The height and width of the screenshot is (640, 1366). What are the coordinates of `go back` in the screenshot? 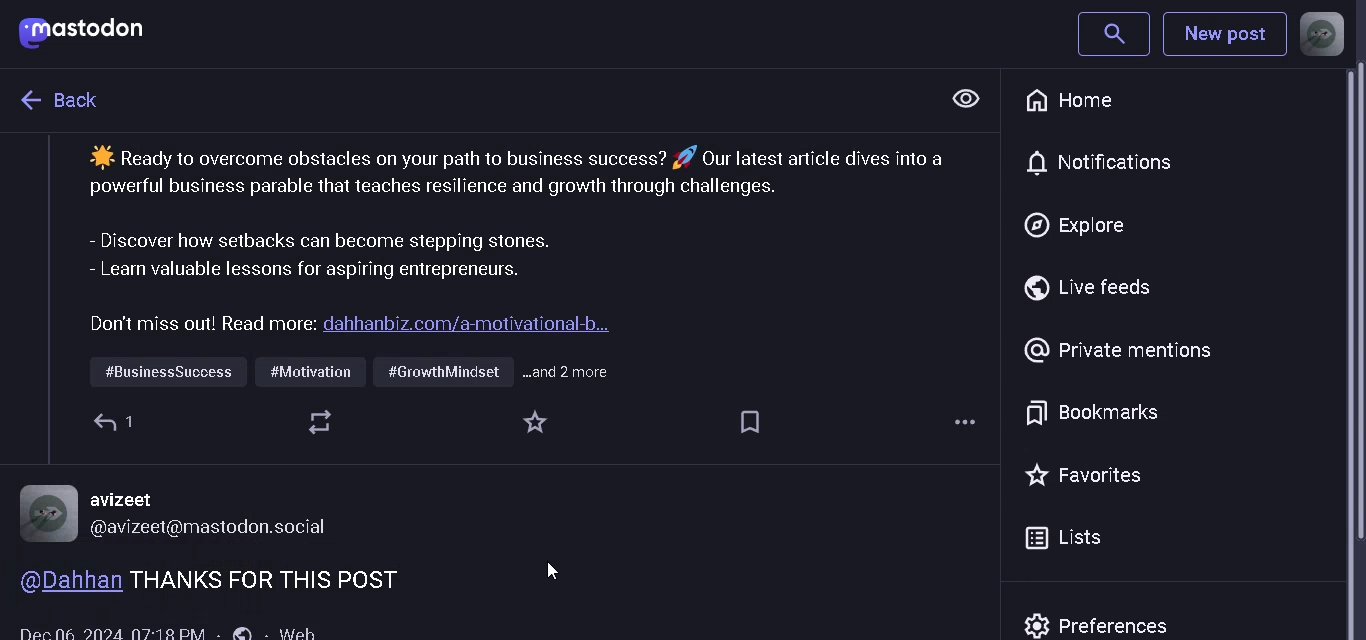 It's located at (28, 103).